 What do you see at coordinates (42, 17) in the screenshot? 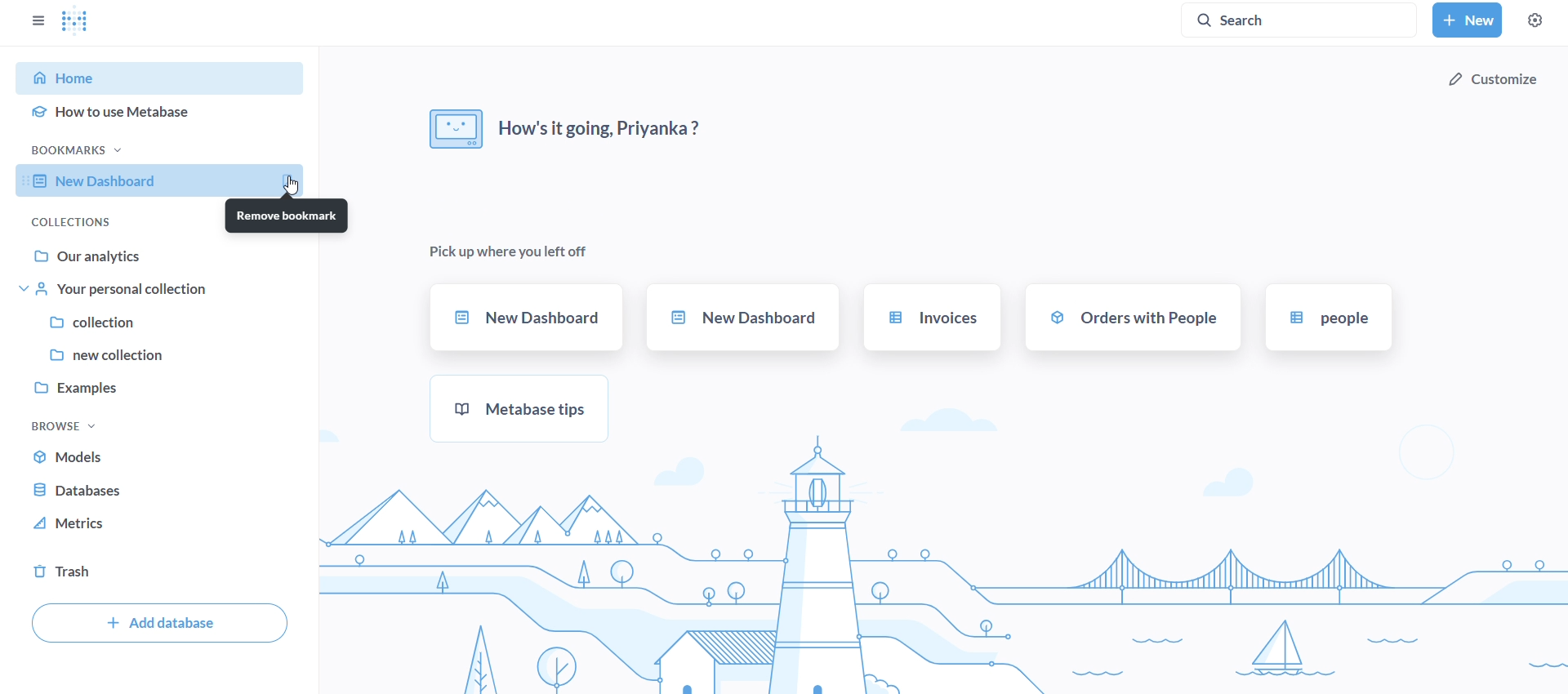
I see `close sidebar` at bounding box center [42, 17].